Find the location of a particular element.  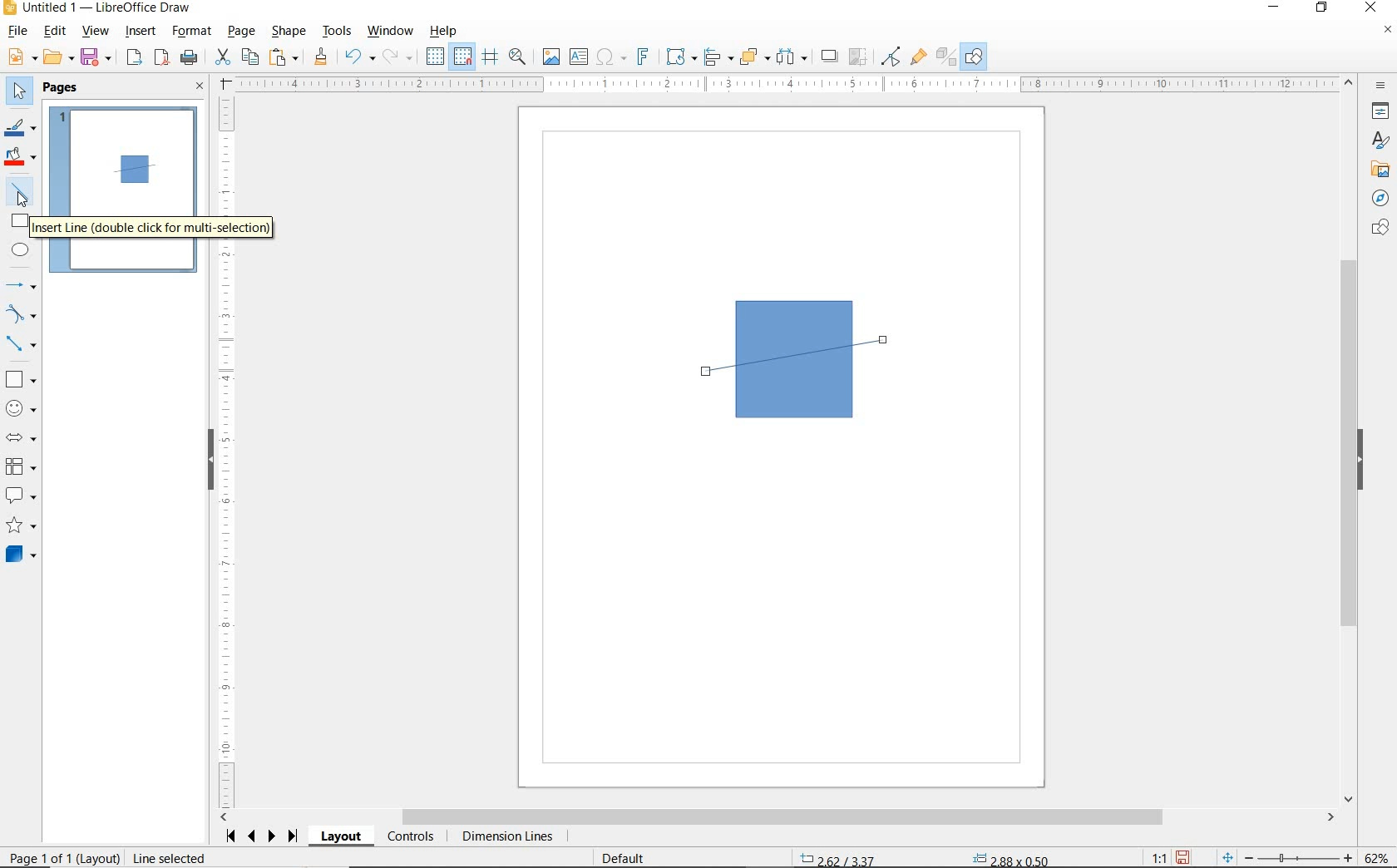

OPEN is located at coordinates (59, 57).